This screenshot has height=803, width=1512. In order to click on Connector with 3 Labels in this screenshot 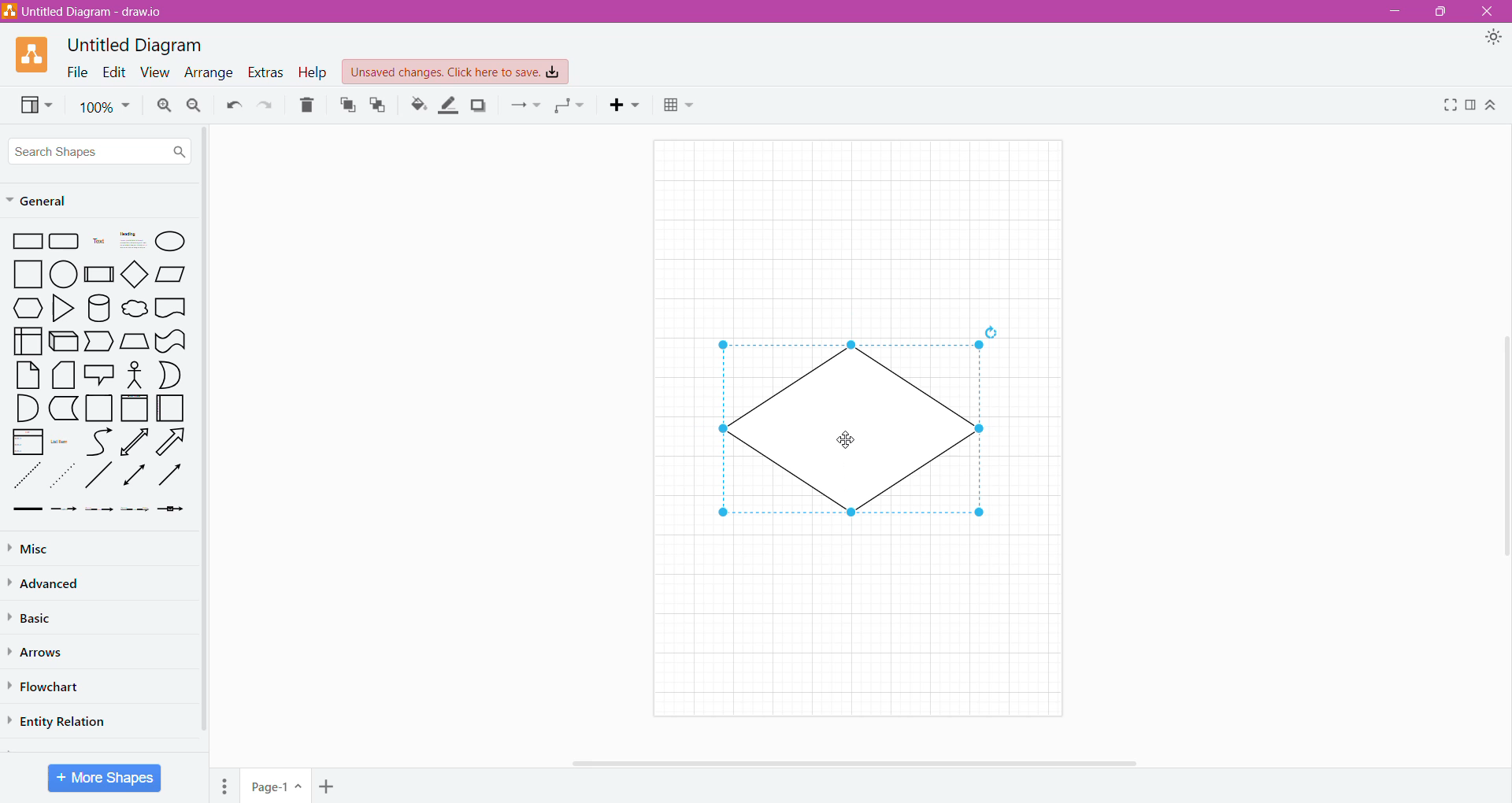, I will do `click(137, 511)`.